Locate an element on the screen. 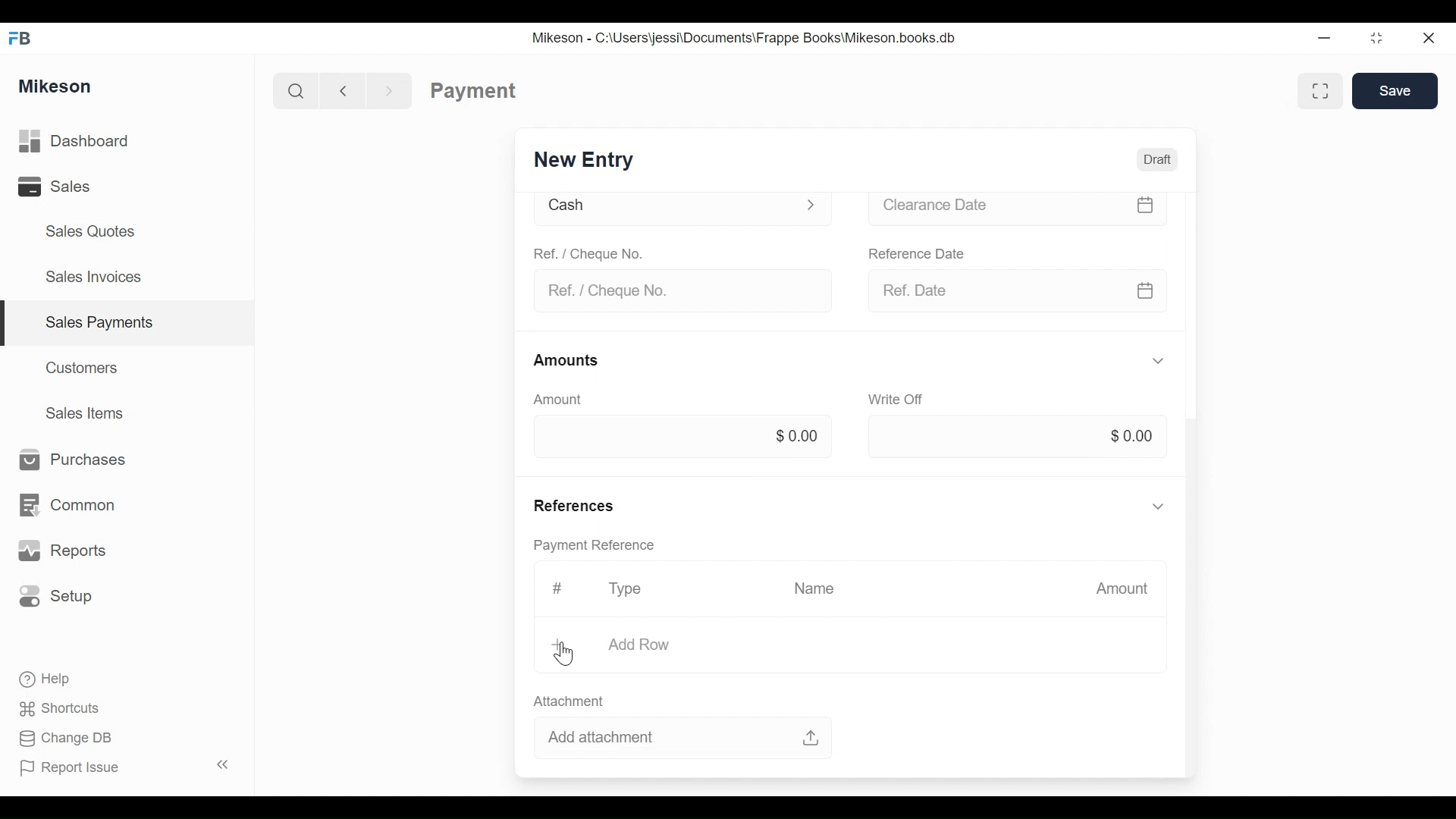 This screenshot has height=819, width=1456. Sales is located at coordinates (53, 188).